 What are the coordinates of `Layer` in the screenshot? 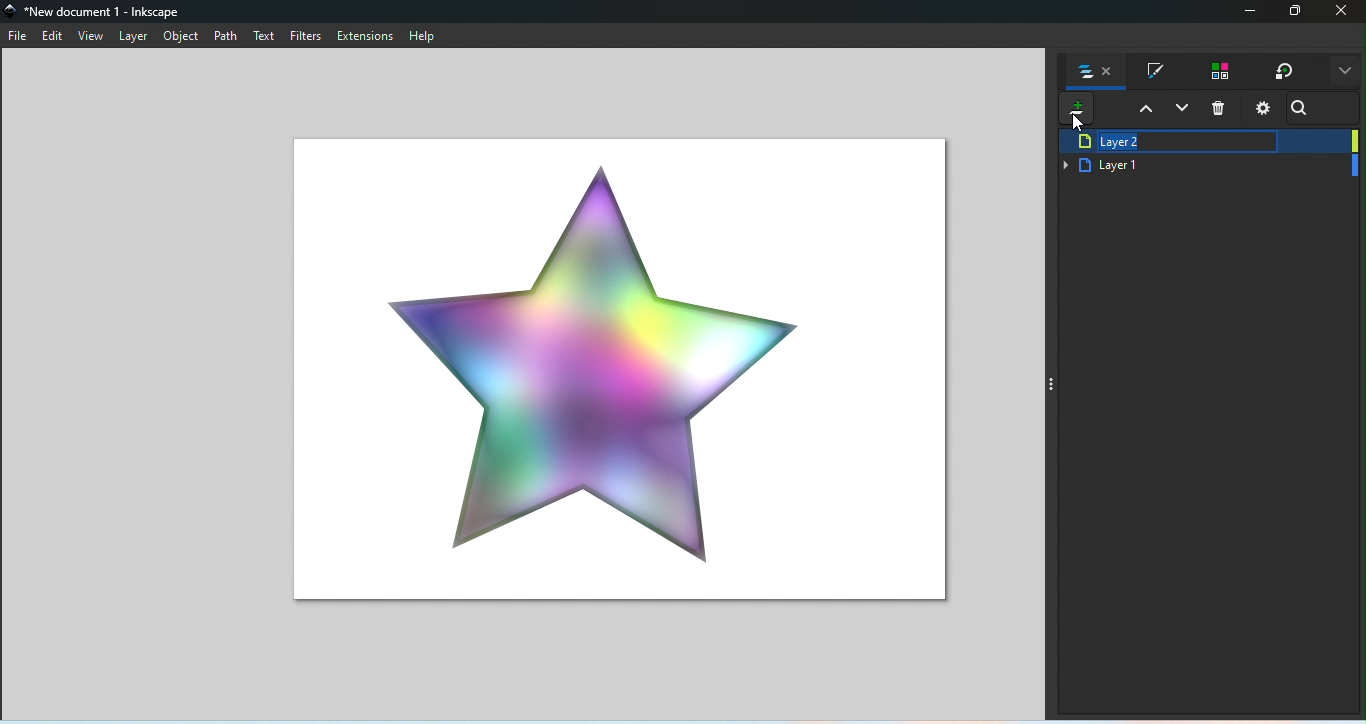 It's located at (137, 36).